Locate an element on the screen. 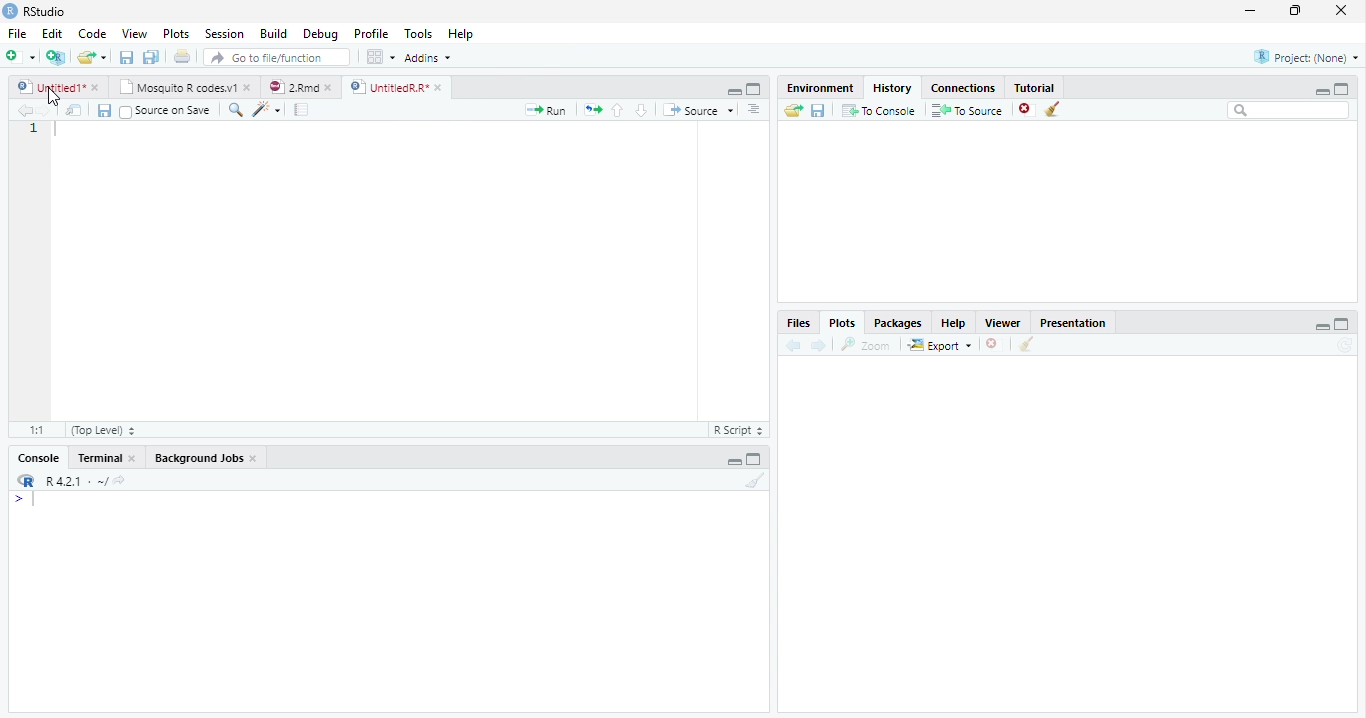 This screenshot has height=718, width=1366. To Source is located at coordinates (967, 109).